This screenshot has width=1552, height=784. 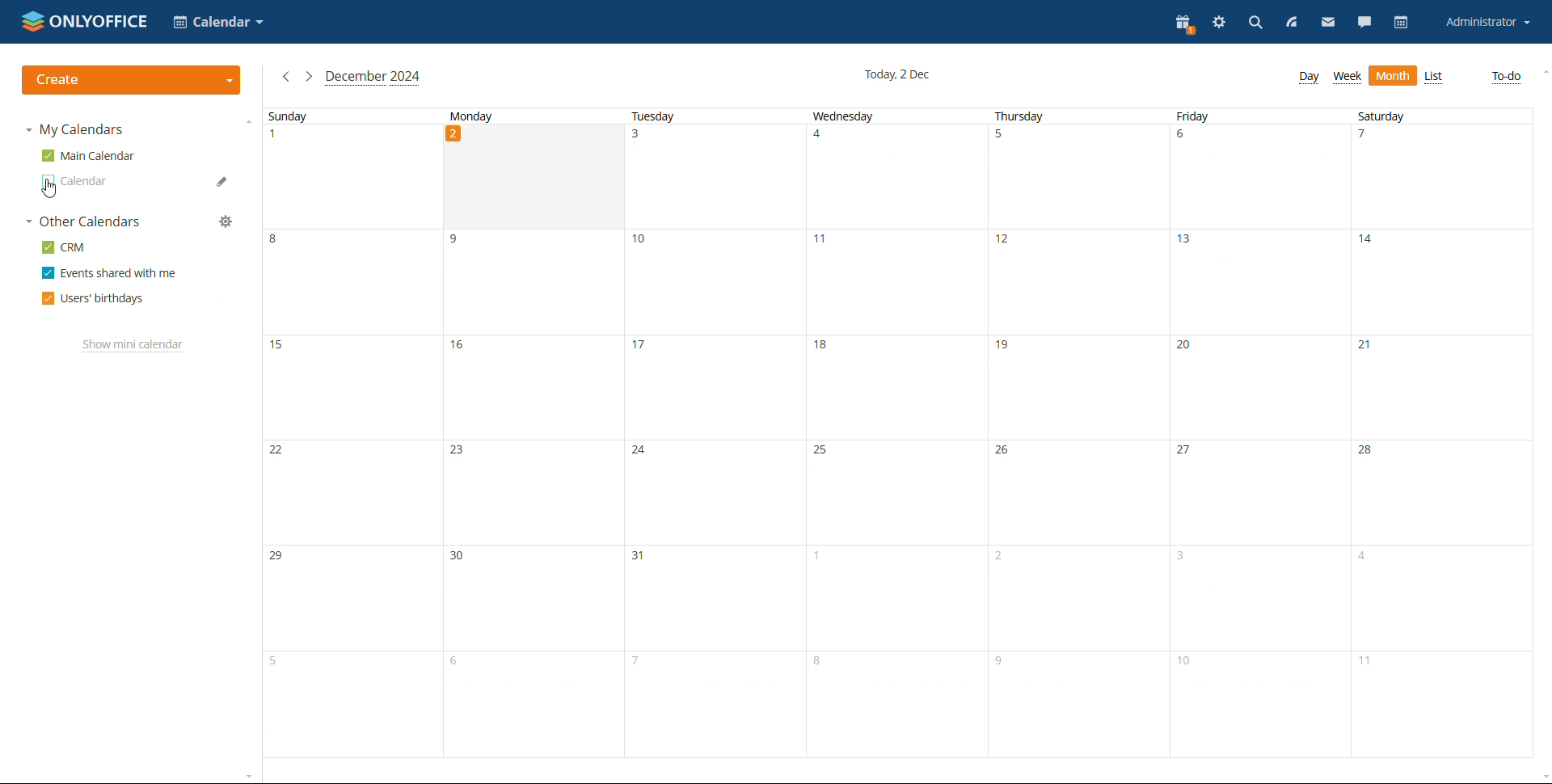 I want to click on settings, so click(x=1219, y=23).